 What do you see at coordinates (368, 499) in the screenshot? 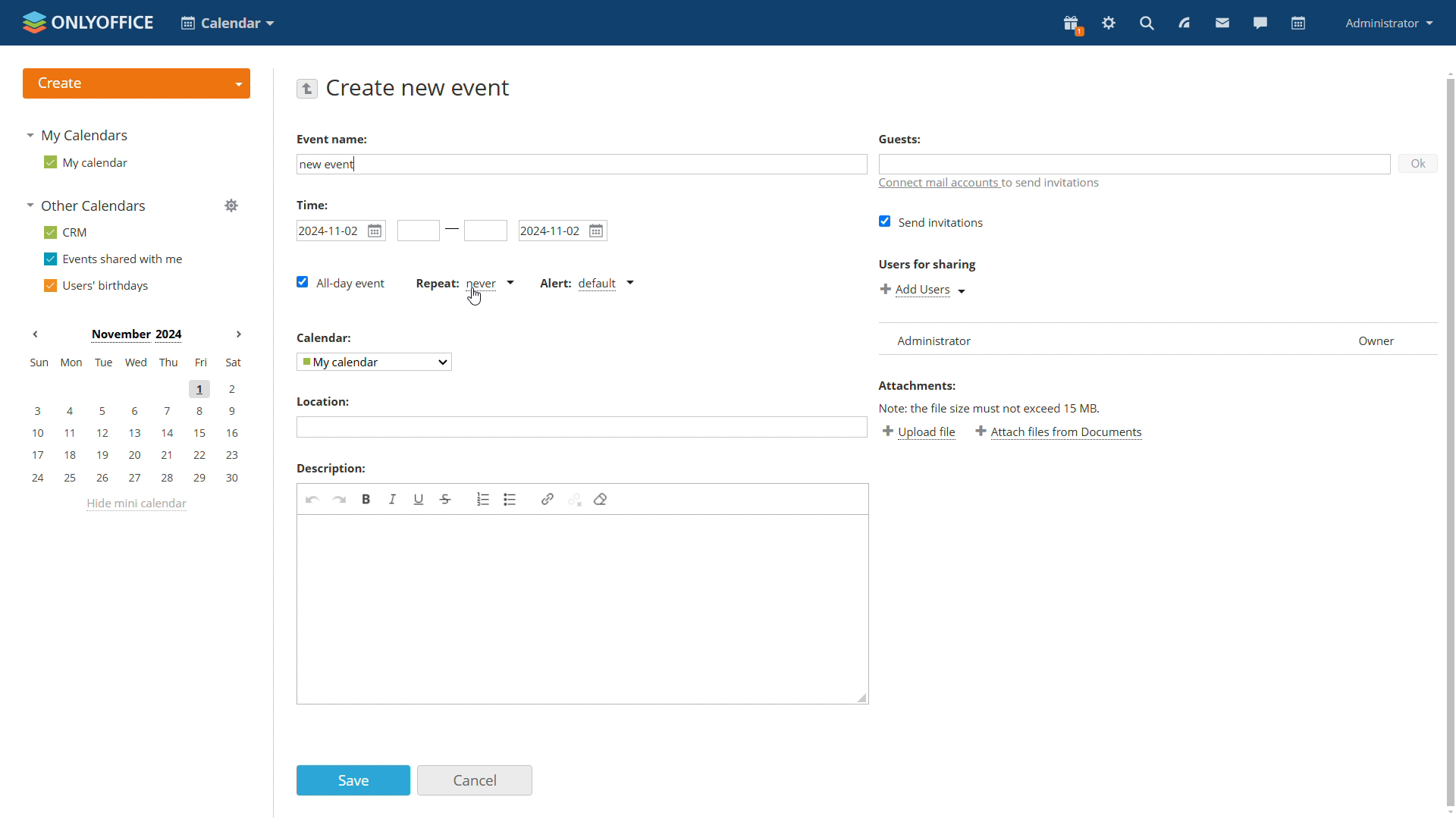
I see `bold` at bounding box center [368, 499].